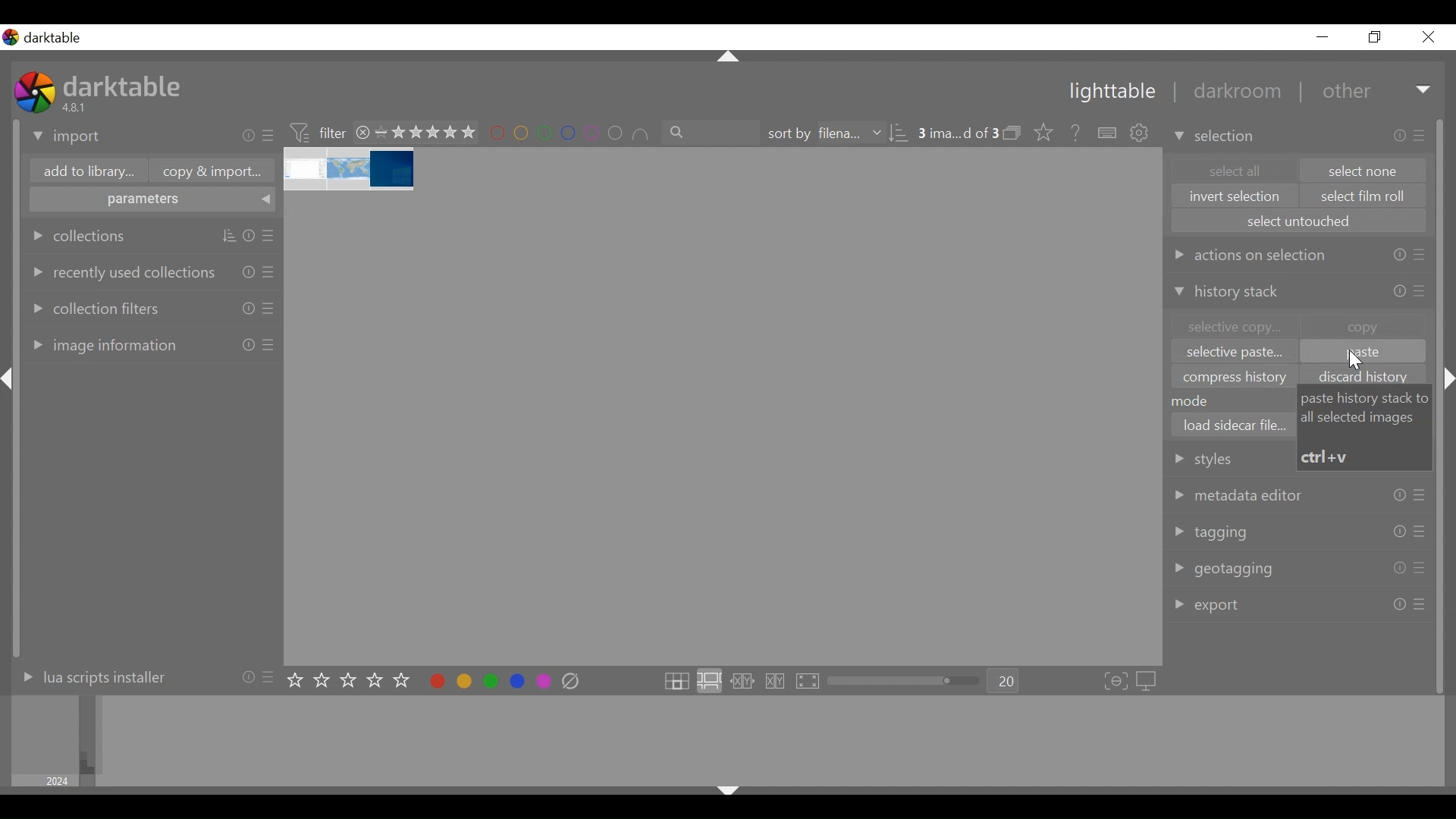 This screenshot has height=819, width=1456. I want to click on Collapse , so click(1450, 379).